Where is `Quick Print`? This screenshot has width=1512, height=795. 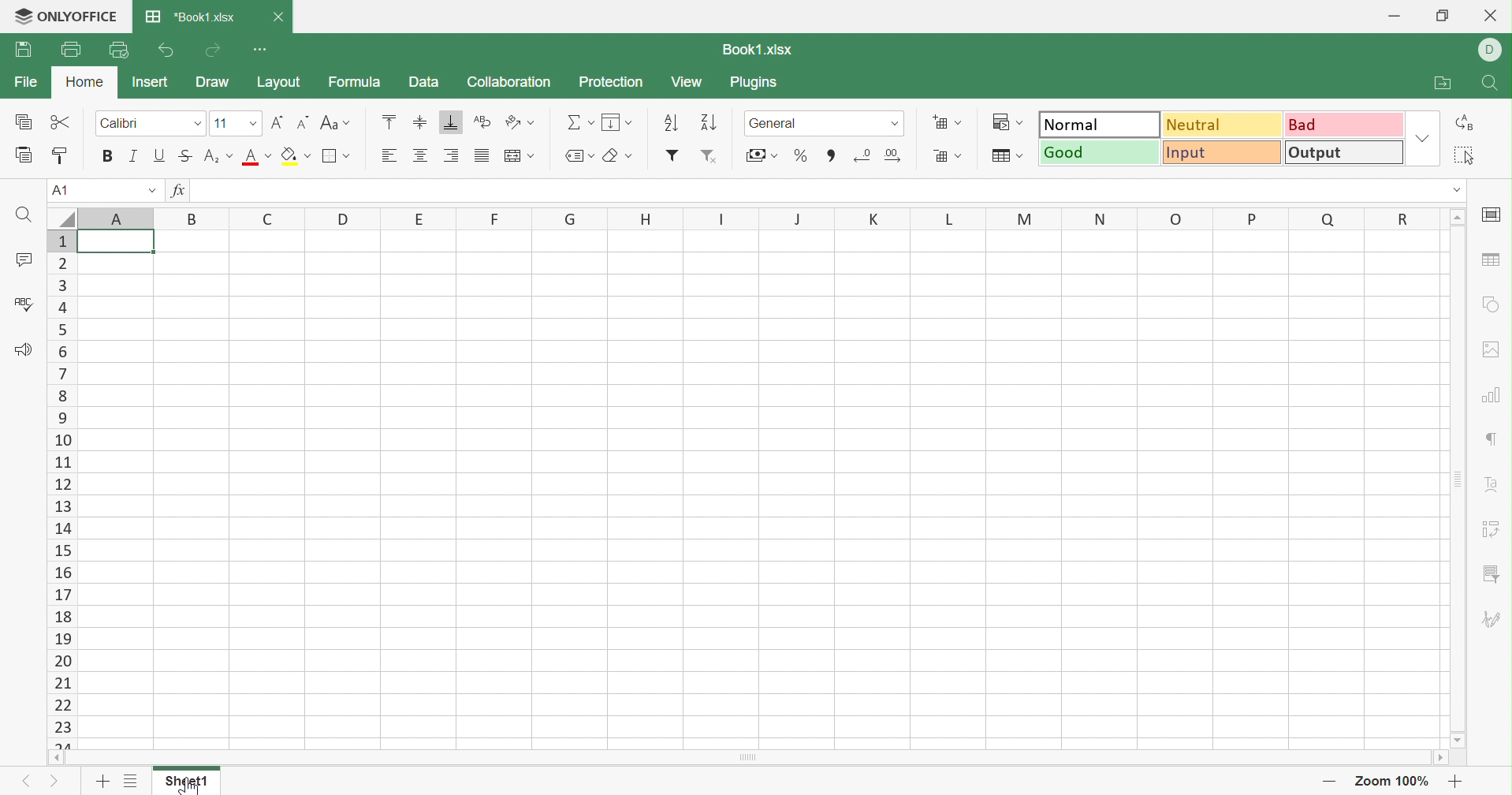
Quick Print is located at coordinates (118, 52).